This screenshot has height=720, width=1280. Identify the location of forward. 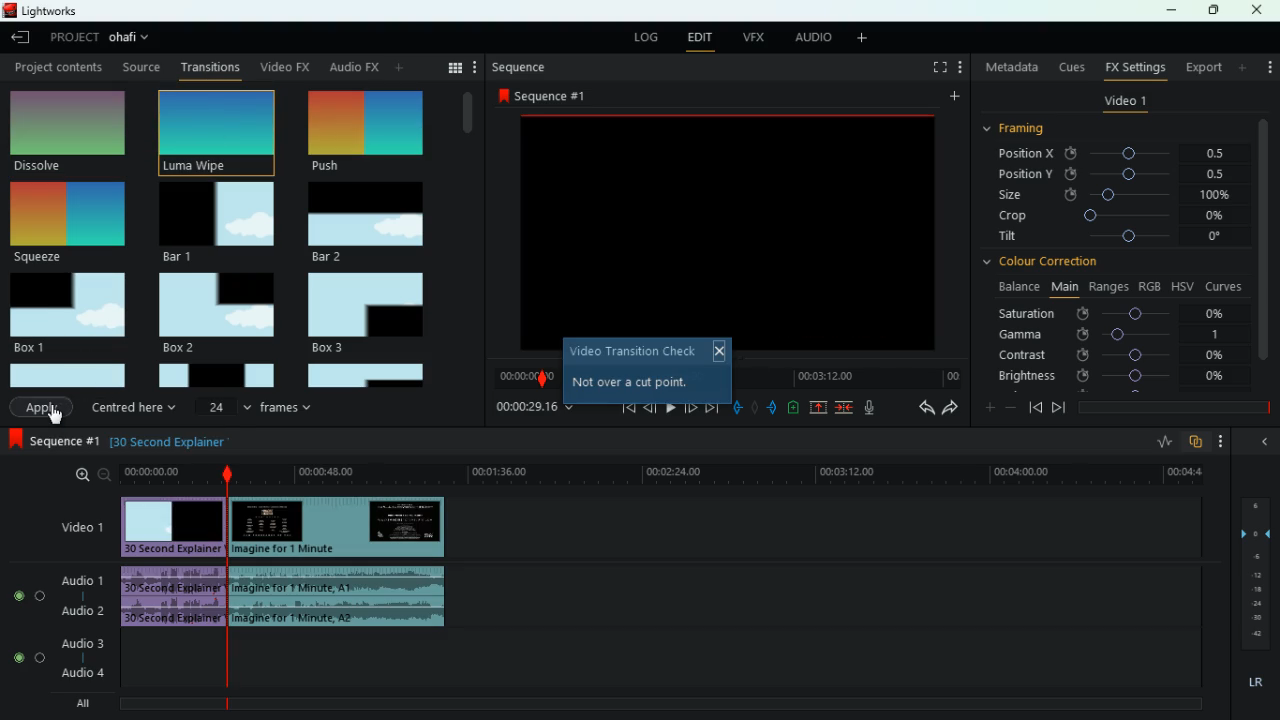
(711, 408).